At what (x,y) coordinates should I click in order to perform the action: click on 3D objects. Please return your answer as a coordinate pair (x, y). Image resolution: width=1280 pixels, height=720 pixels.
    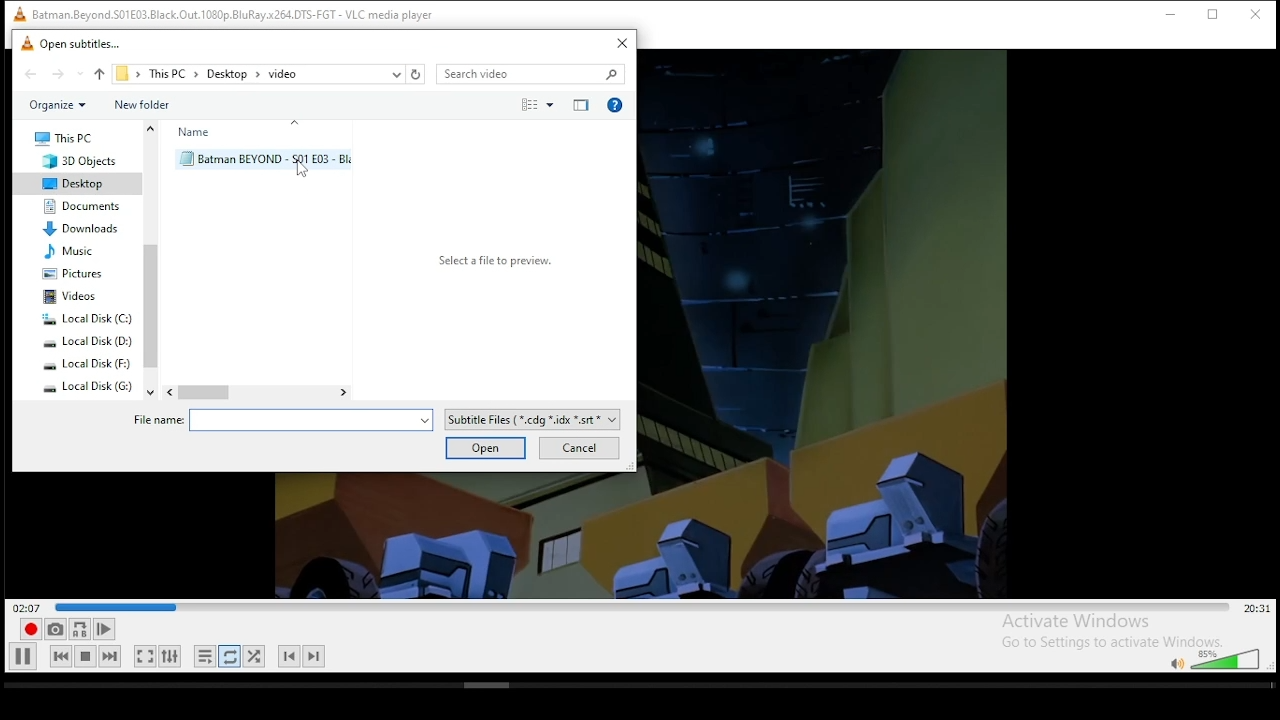
    Looking at the image, I should click on (80, 162).